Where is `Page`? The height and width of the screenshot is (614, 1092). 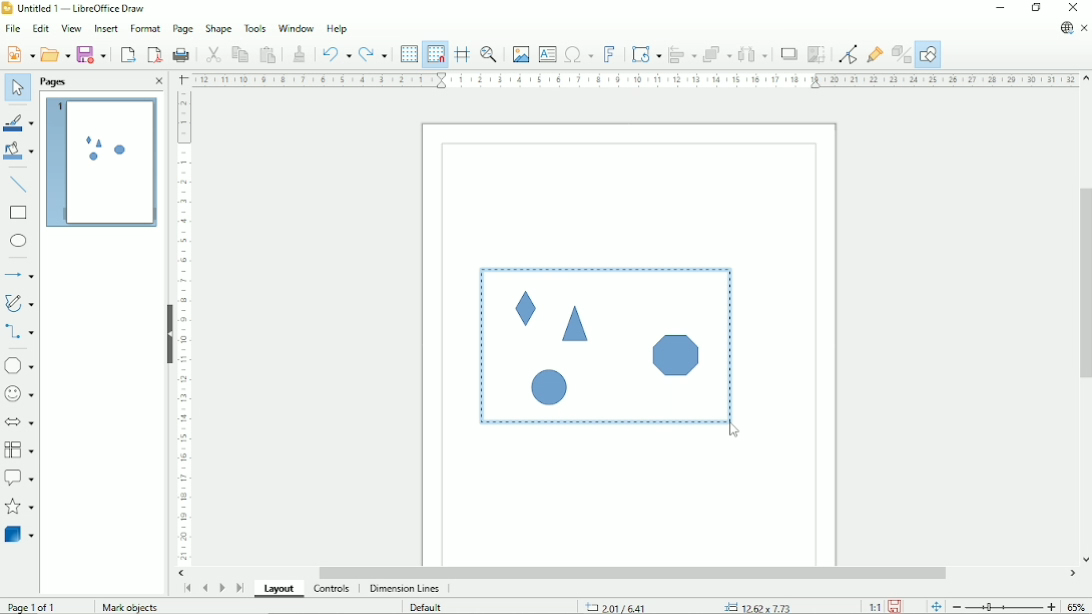 Page is located at coordinates (181, 29).